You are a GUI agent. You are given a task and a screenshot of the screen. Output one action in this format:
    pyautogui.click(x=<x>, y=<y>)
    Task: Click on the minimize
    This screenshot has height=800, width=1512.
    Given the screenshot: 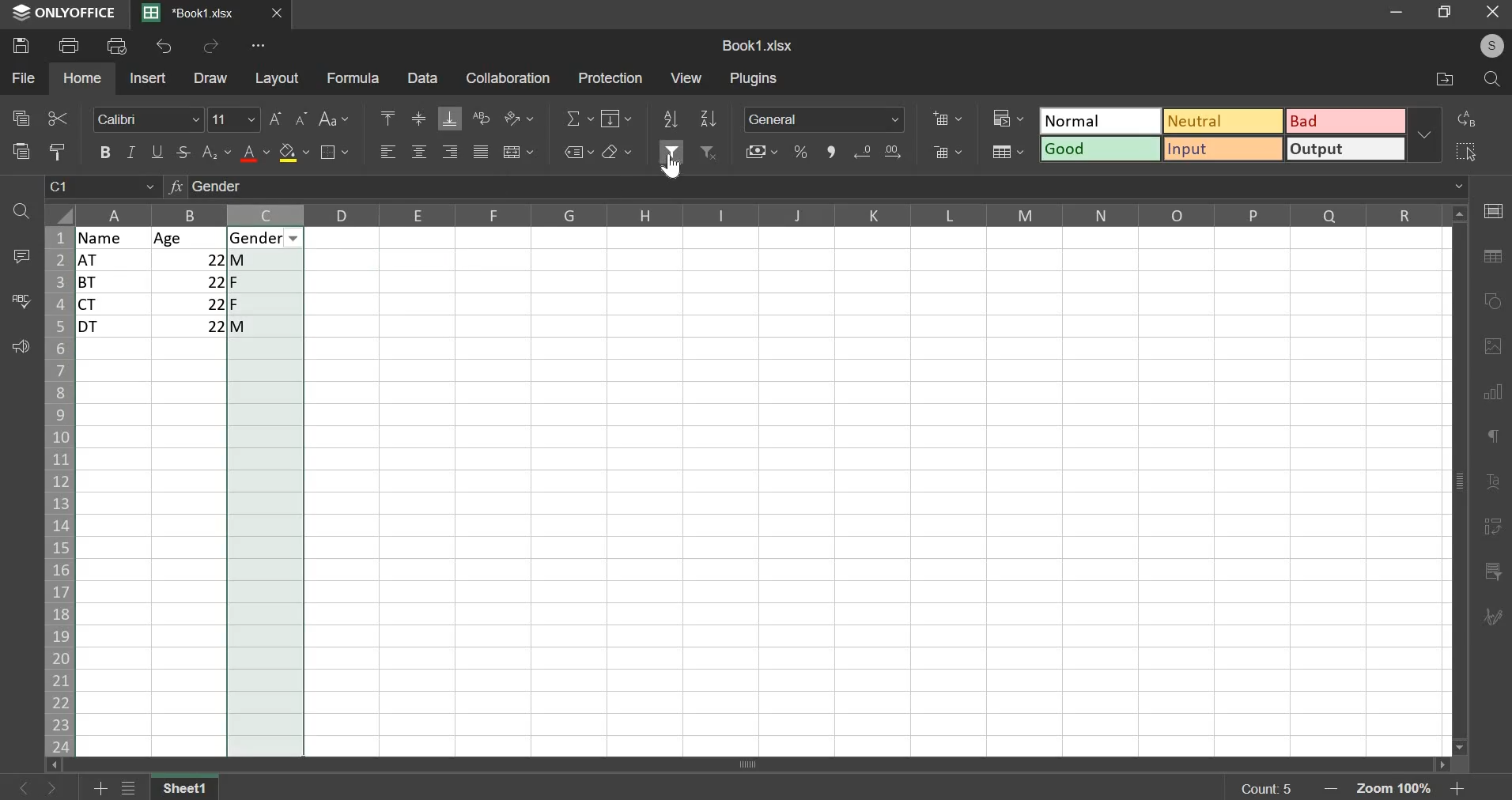 What is the action you would take?
    pyautogui.click(x=1400, y=14)
    